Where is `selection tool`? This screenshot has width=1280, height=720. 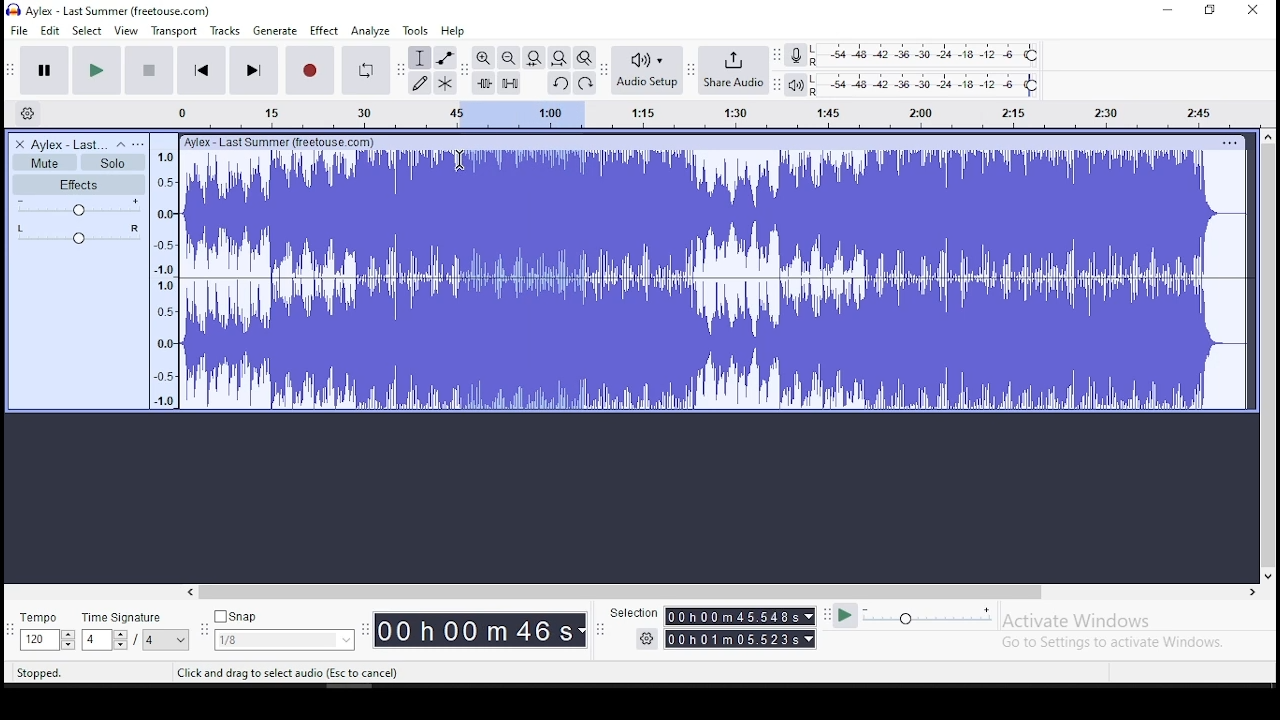 selection tool is located at coordinates (420, 57).